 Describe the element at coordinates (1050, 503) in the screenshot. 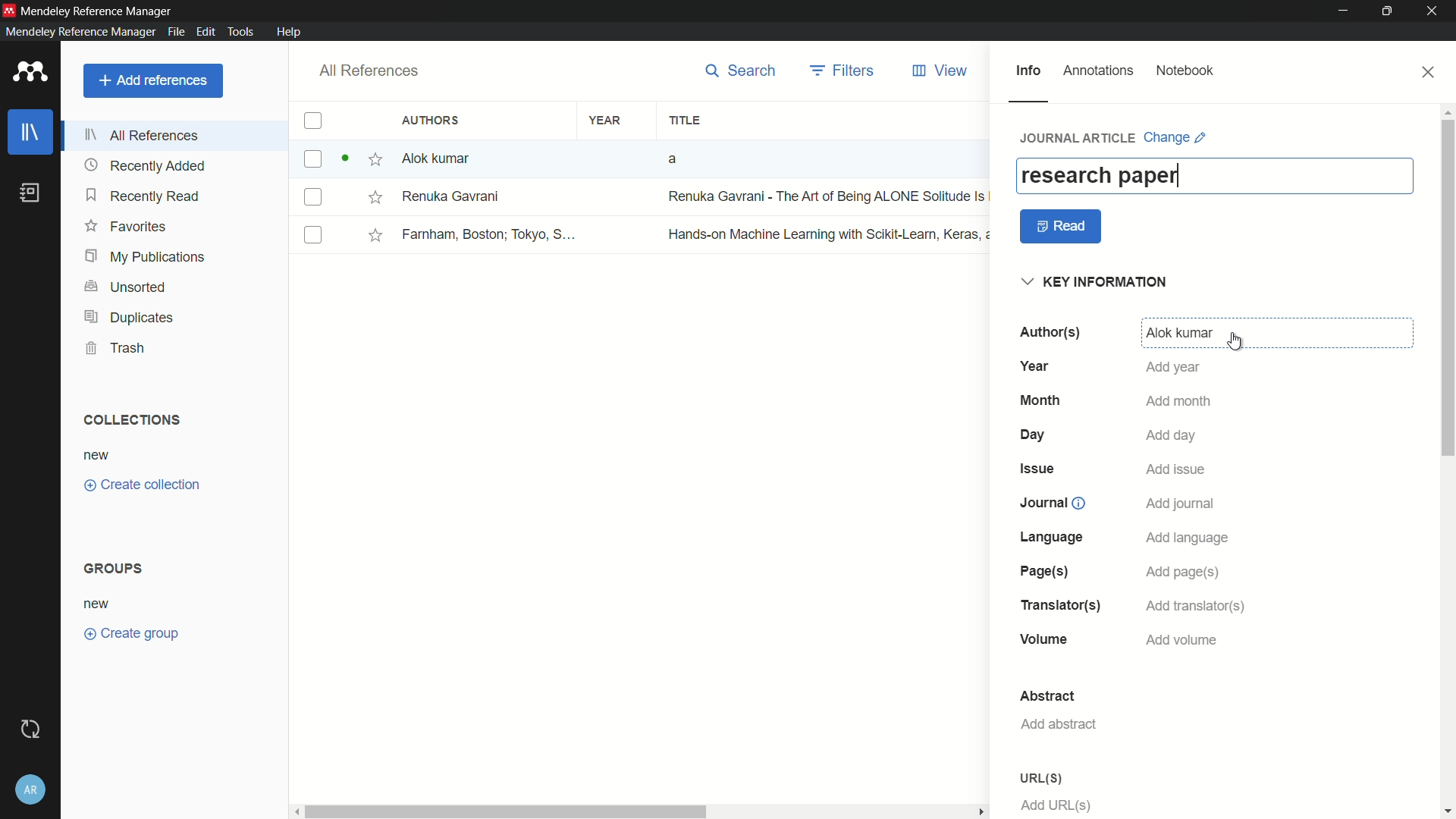

I see `journal` at that location.